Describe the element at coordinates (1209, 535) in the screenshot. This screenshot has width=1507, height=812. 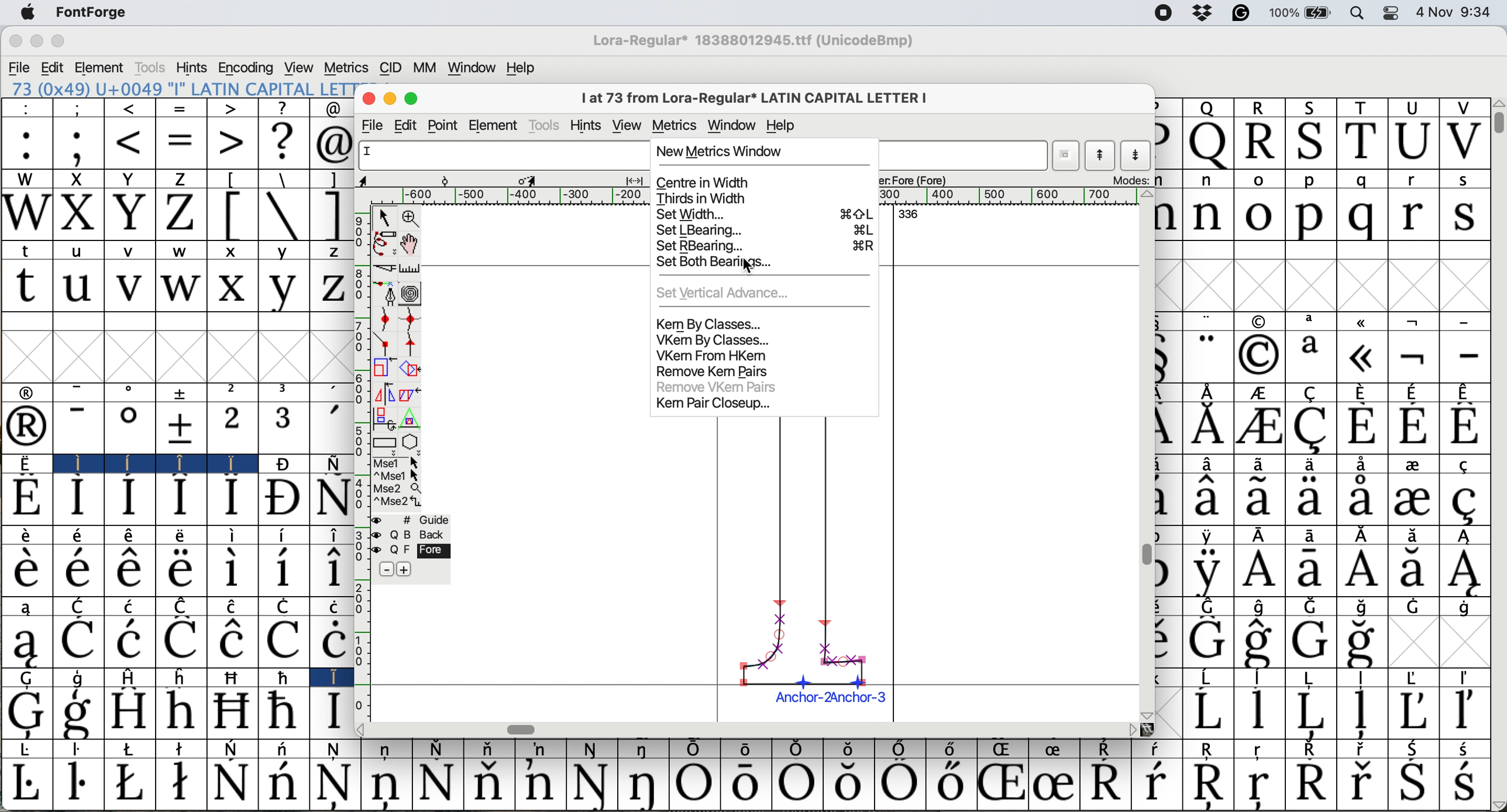
I see `Symbol` at that location.